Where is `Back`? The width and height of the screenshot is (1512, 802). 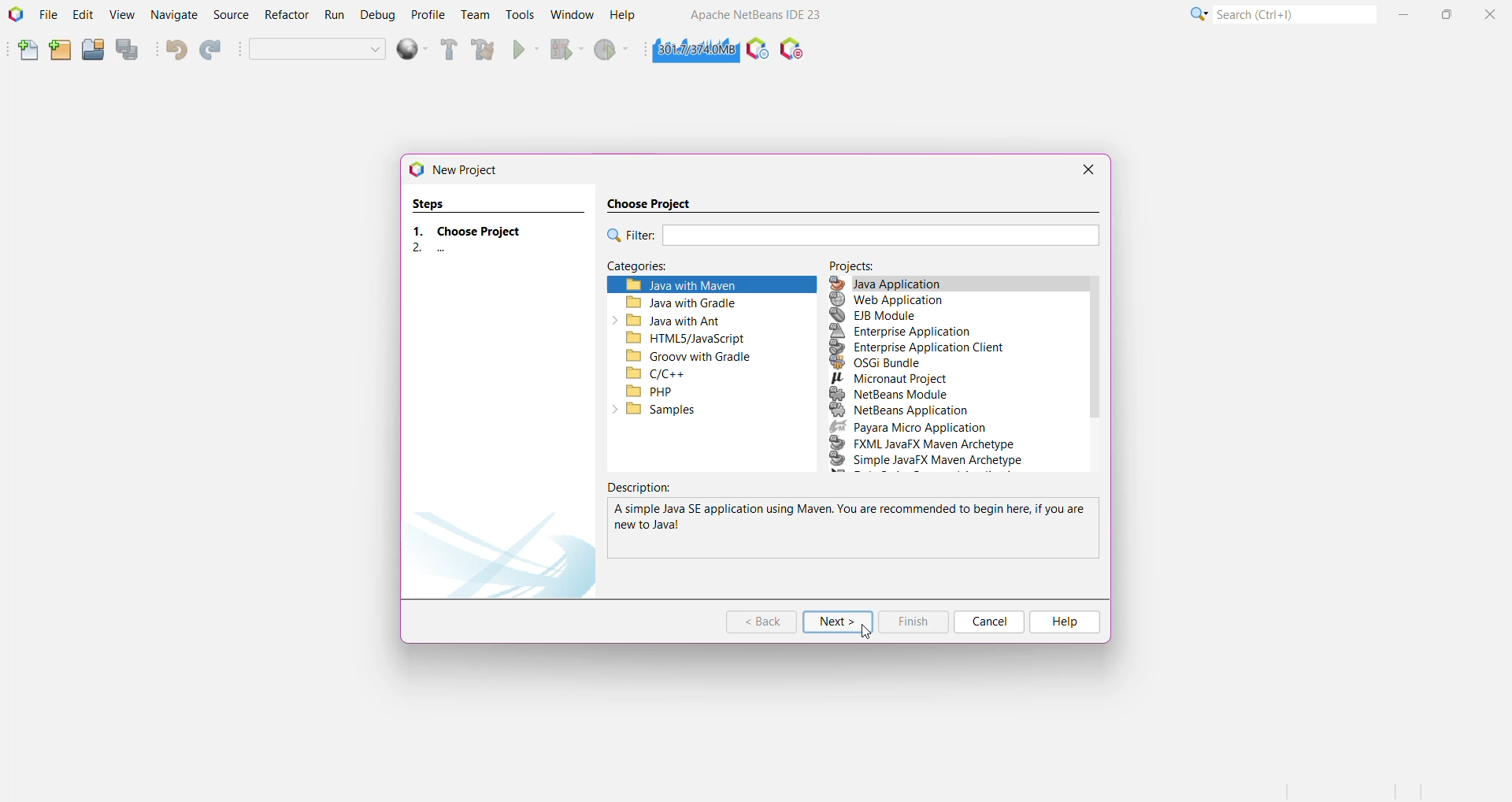
Back is located at coordinates (762, 622).